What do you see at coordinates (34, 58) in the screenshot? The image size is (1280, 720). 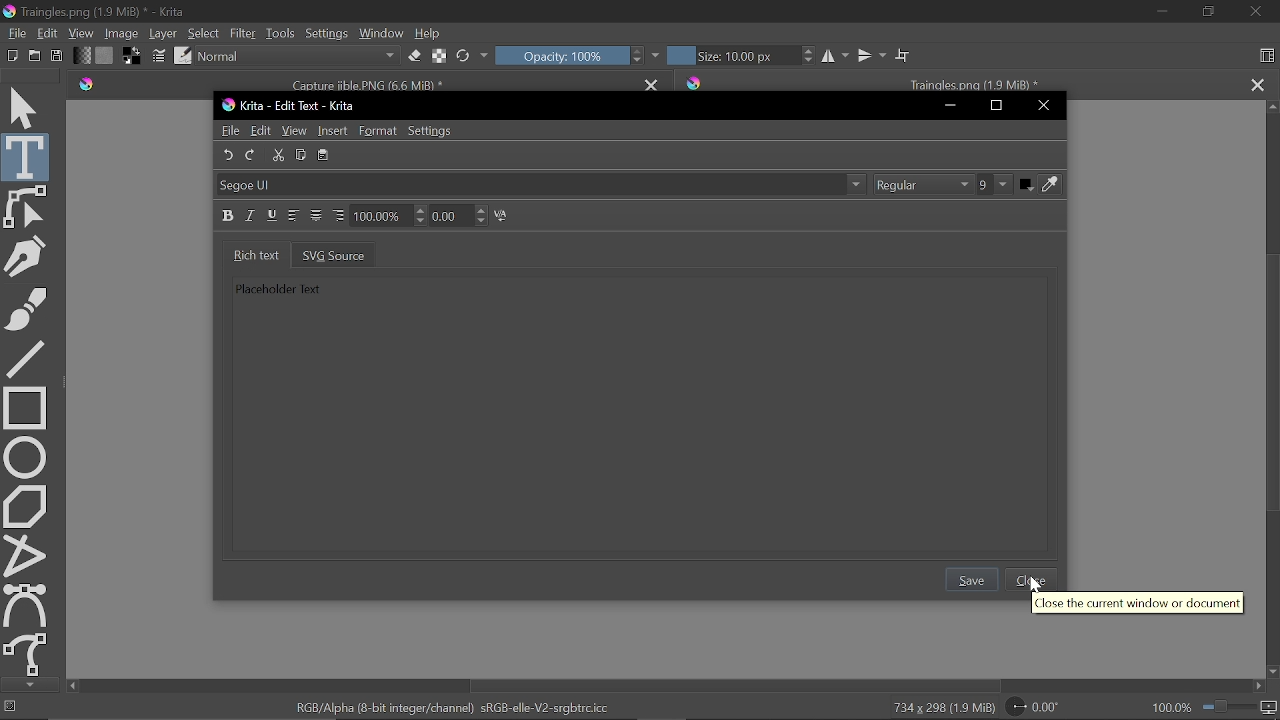 I see `Open document` at bounding box center [34, 58].